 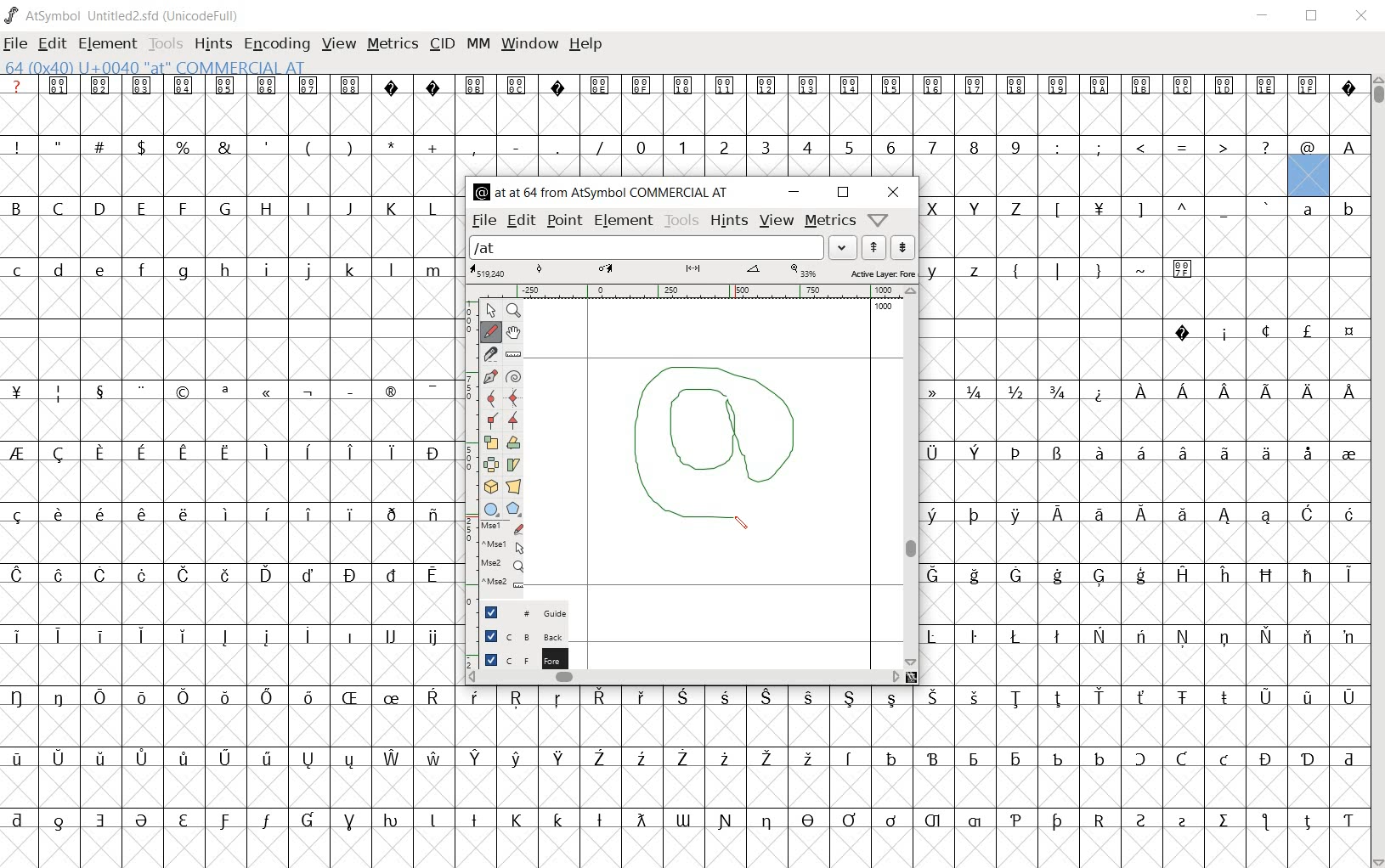 What do you see at coordinates (520, 222) in the screenshot?
I see `edit` at bounding box center [520, 222].